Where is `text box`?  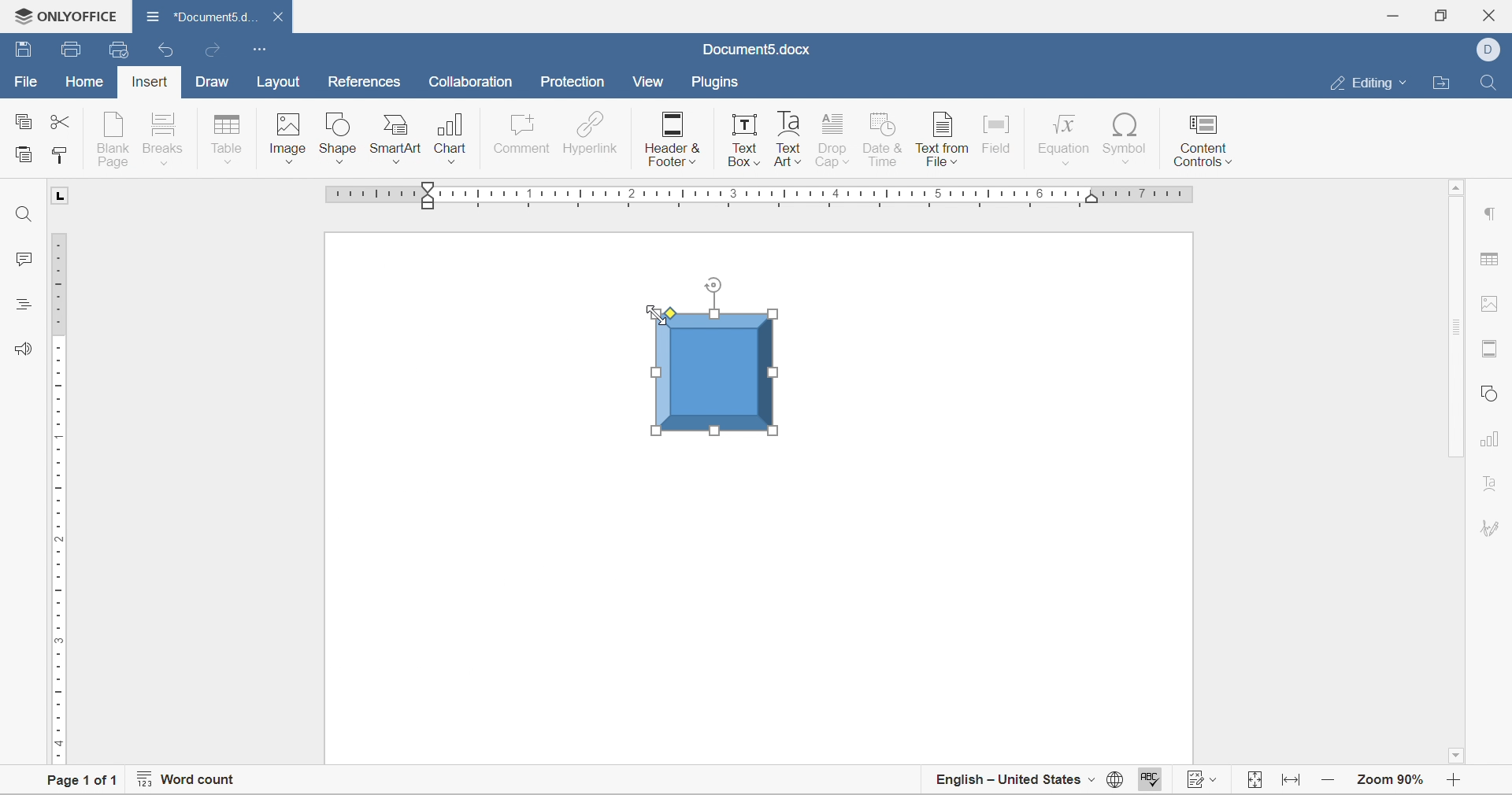 text box is located at coordinates (745, 139).